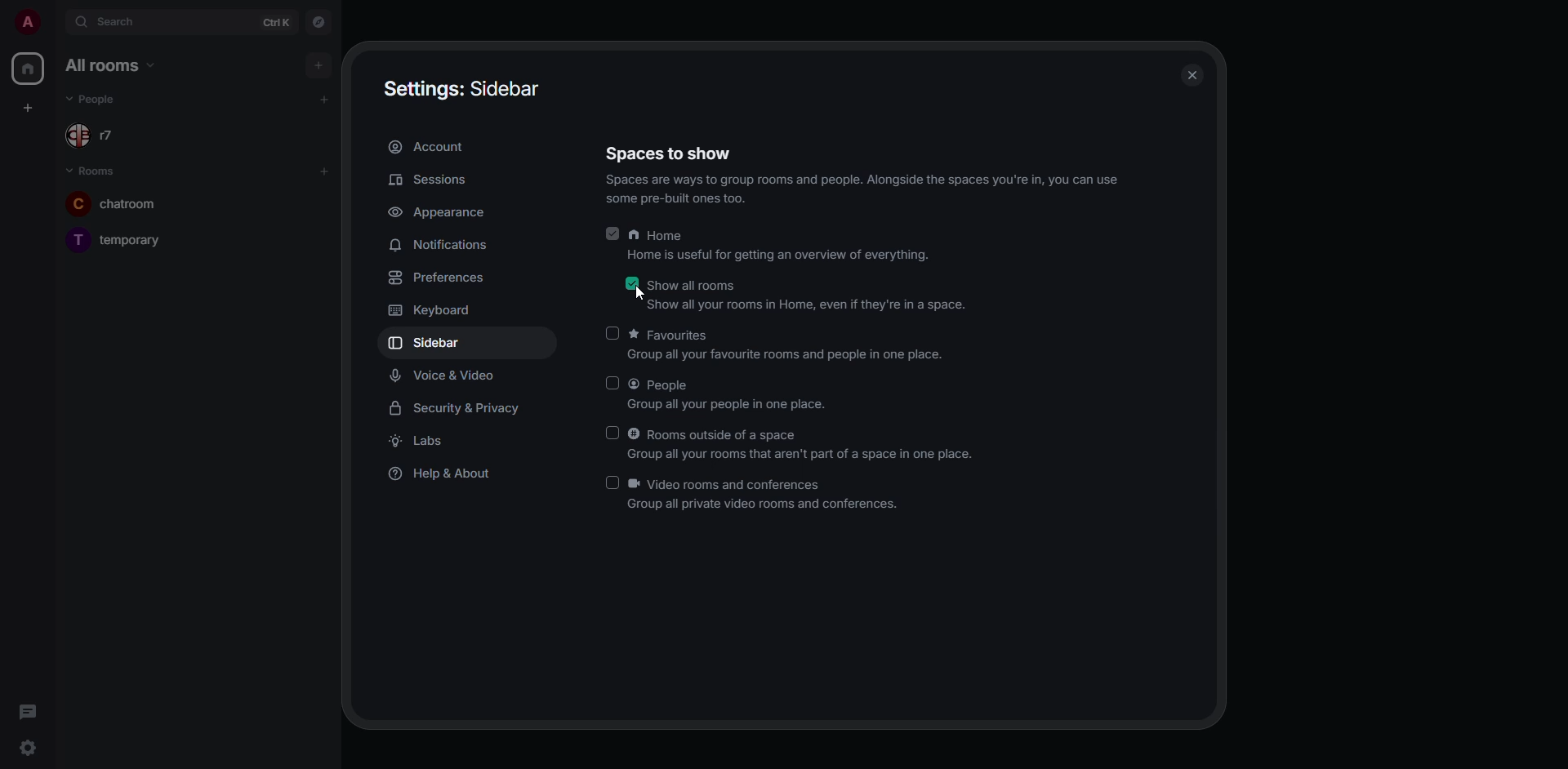 This screenshot has height=769, width=1568. I want to click on temporary, so click(116, 238).